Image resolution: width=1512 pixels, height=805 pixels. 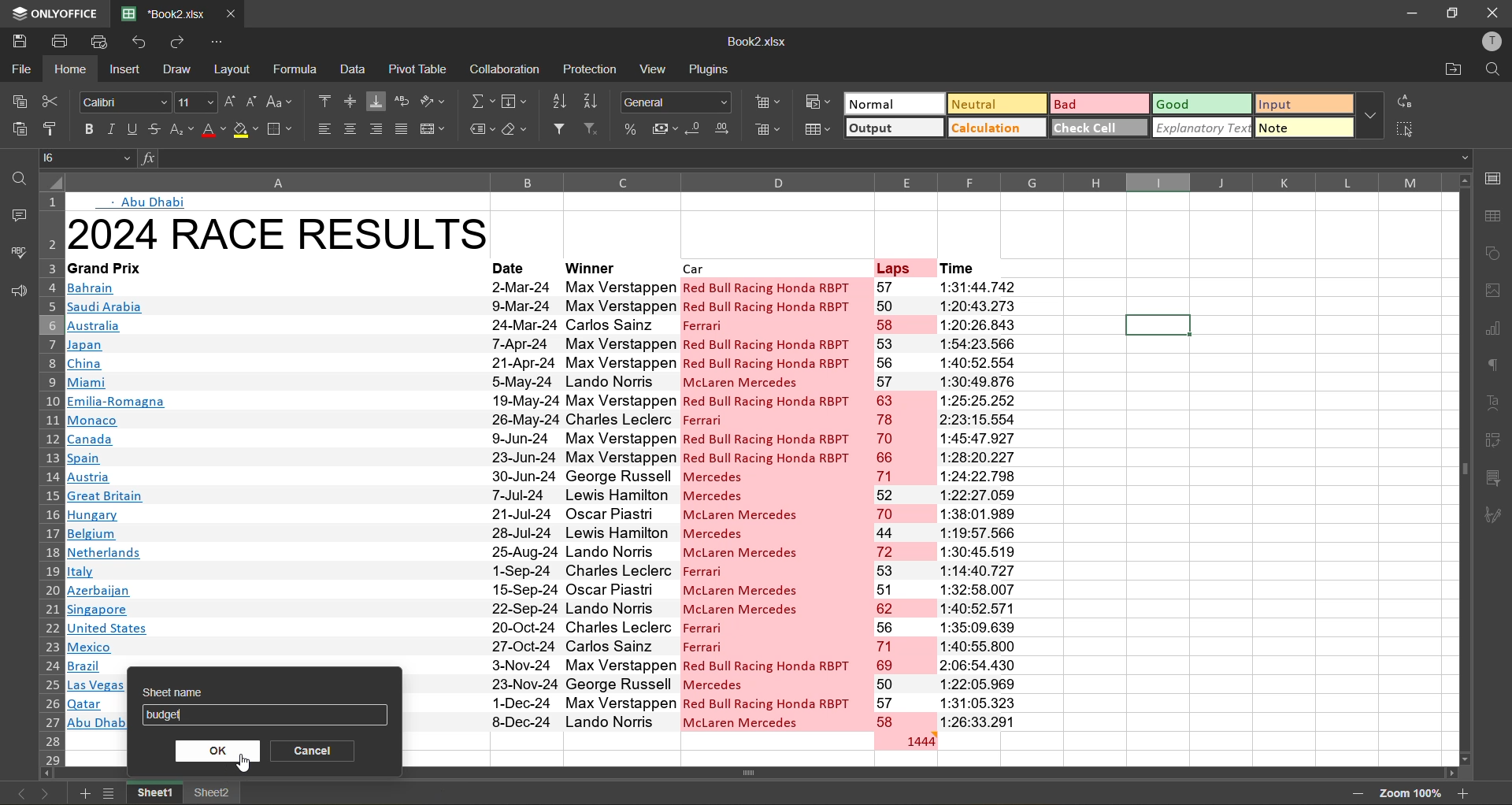 I want to click on wrap text, so click(x=403, y=102).